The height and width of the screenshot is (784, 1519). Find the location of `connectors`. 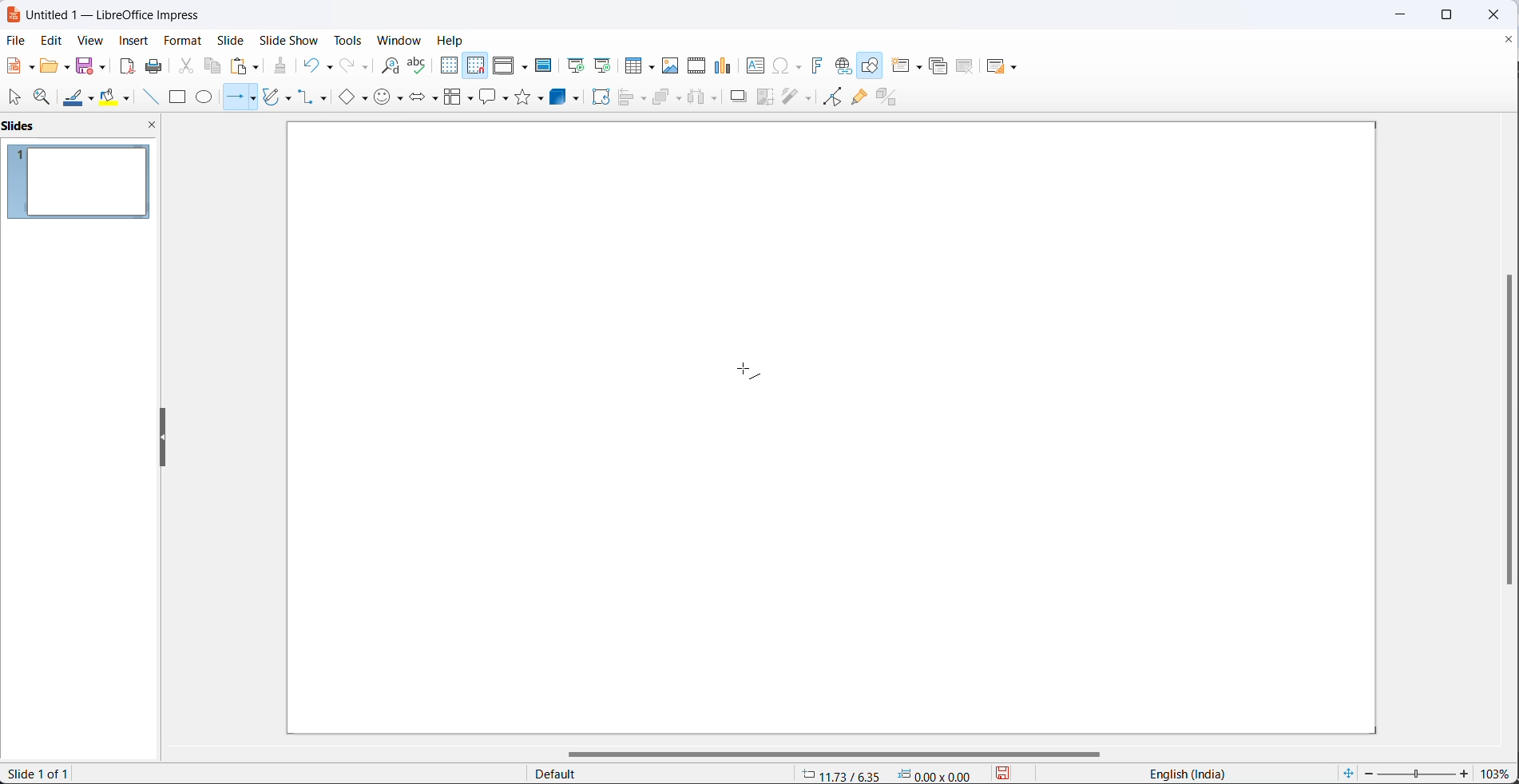

connectors is located at coordinates (315, 98).